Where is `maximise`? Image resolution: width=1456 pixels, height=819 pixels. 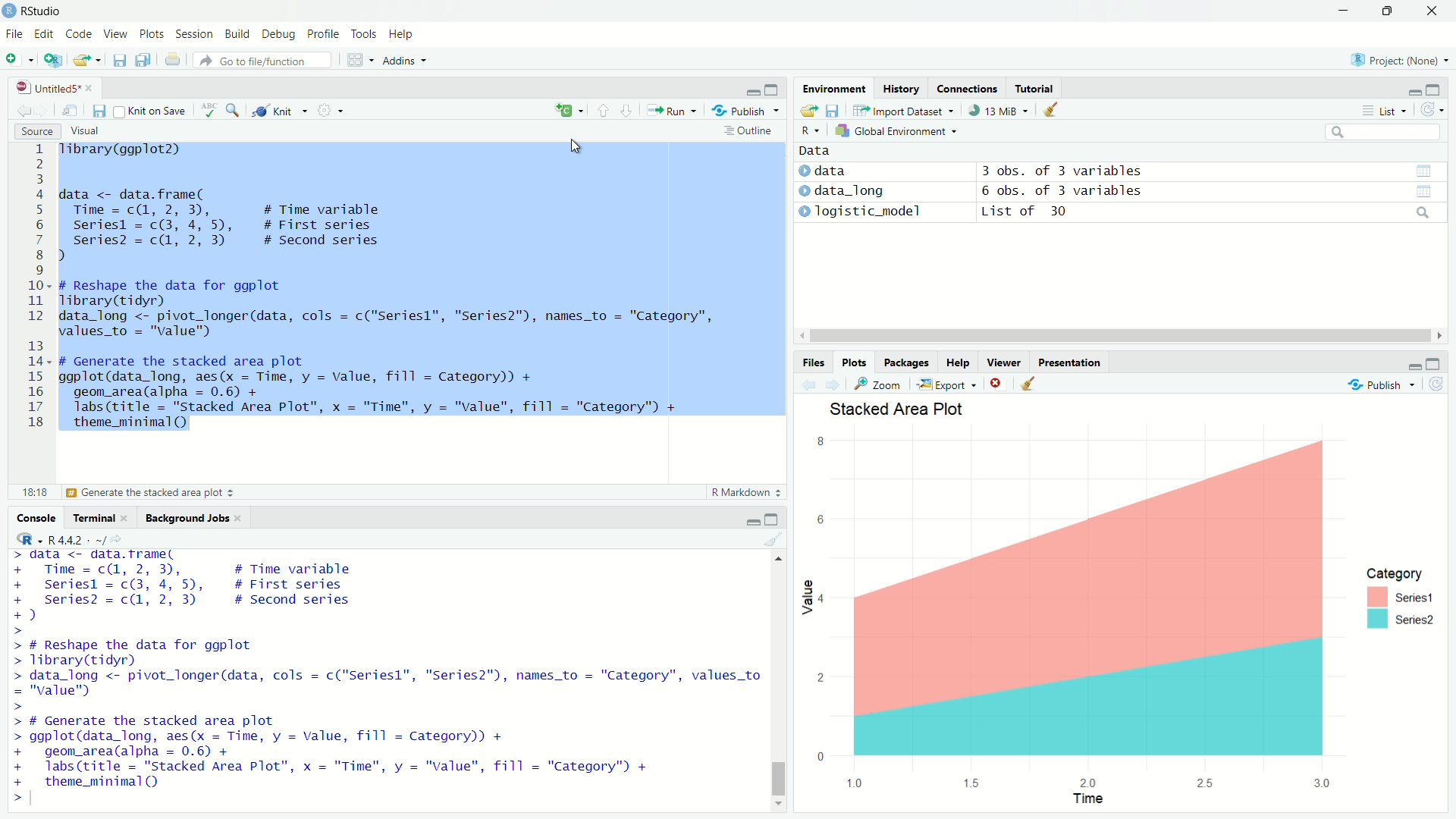
maximise is located at coordinates (1434, 88).